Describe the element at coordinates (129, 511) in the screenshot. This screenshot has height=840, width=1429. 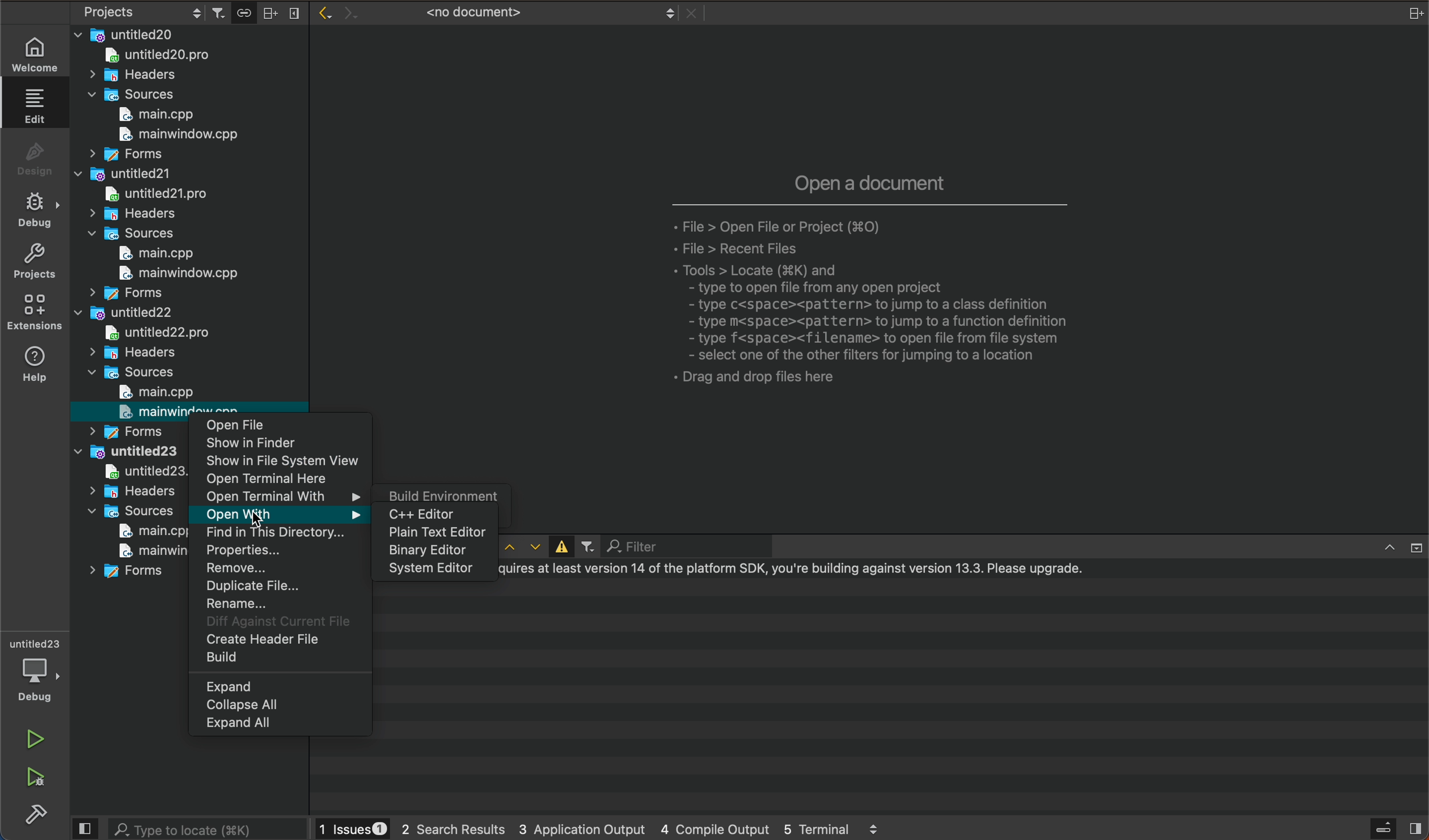
I see `sources` at that location.